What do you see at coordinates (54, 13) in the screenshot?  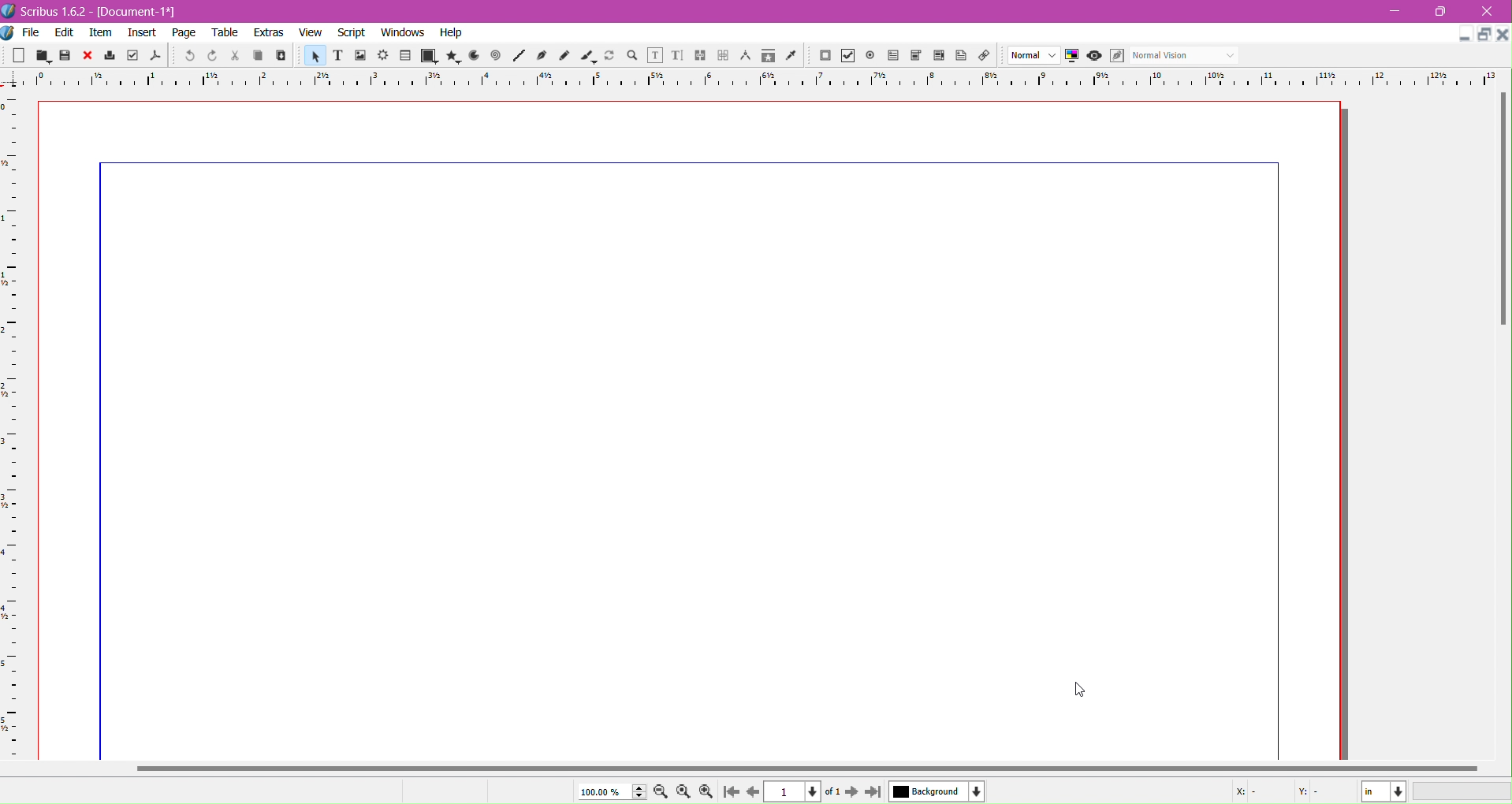 I see `app name` at bounding box center [54, 13].